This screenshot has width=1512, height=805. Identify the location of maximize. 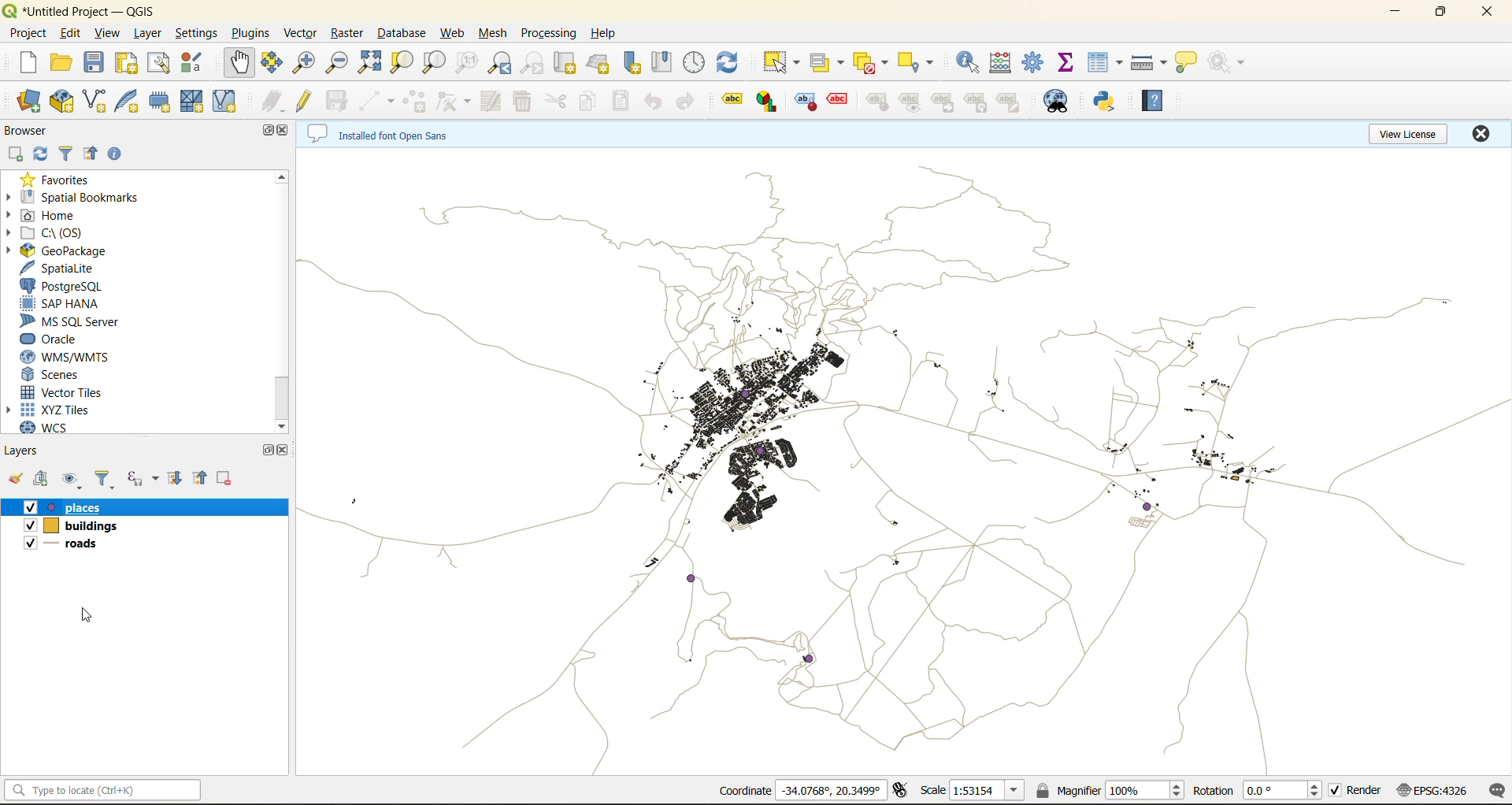
(269, 132).